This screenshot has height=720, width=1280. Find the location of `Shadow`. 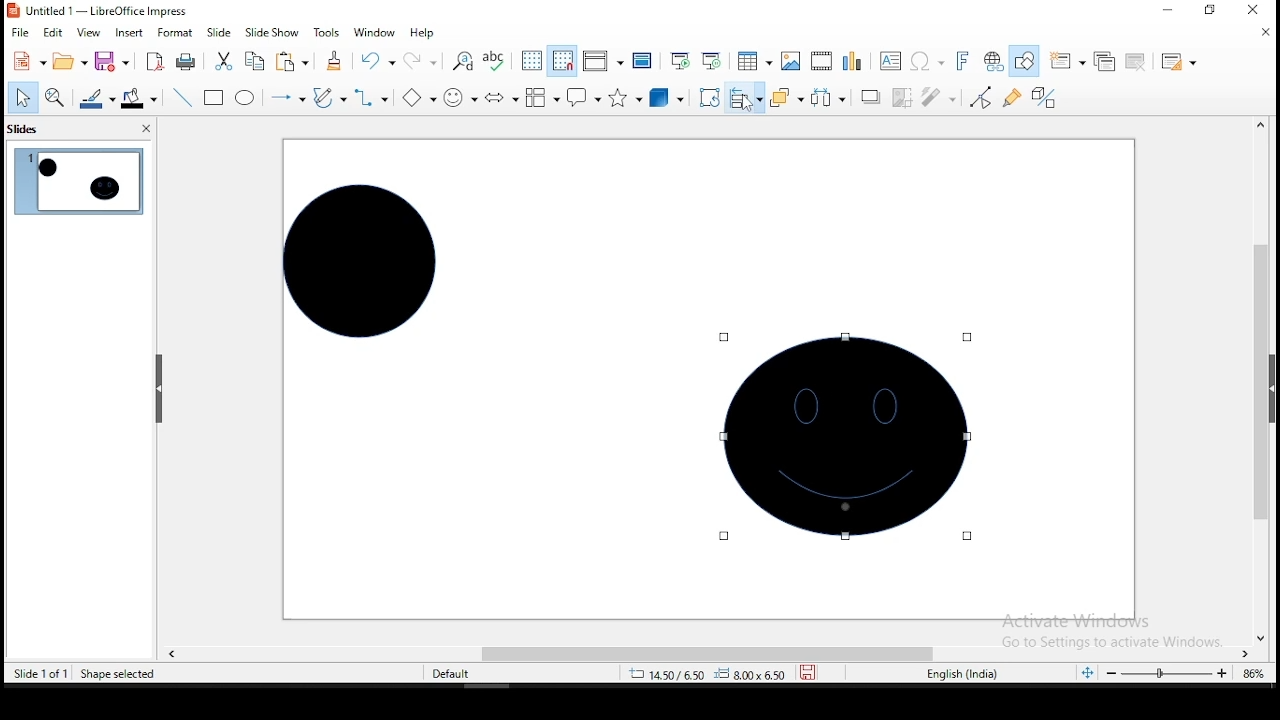

Shadow is located at coordinates (869, 97).